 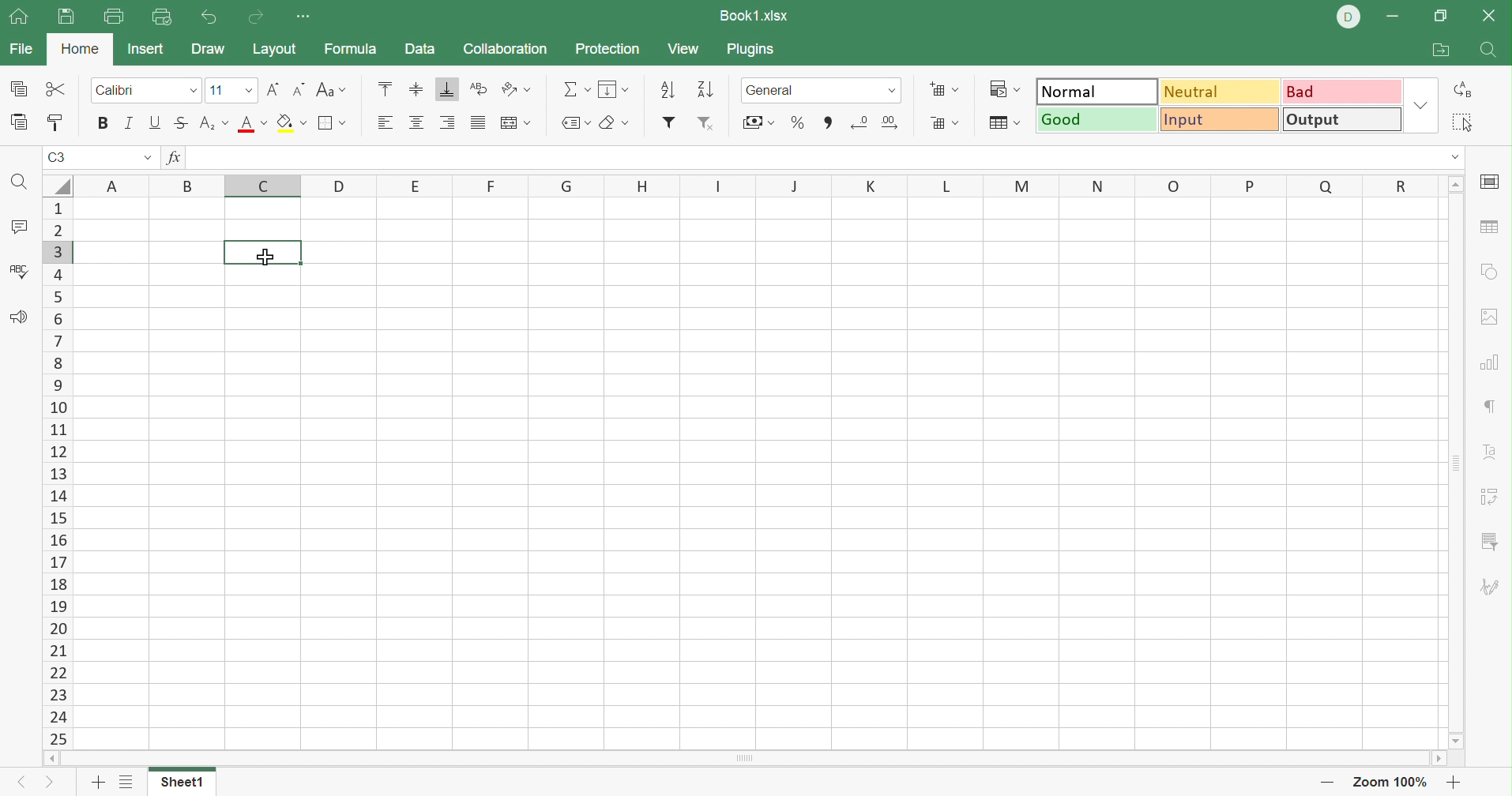 I want to click on Orientation, so click(x=515, y=88).